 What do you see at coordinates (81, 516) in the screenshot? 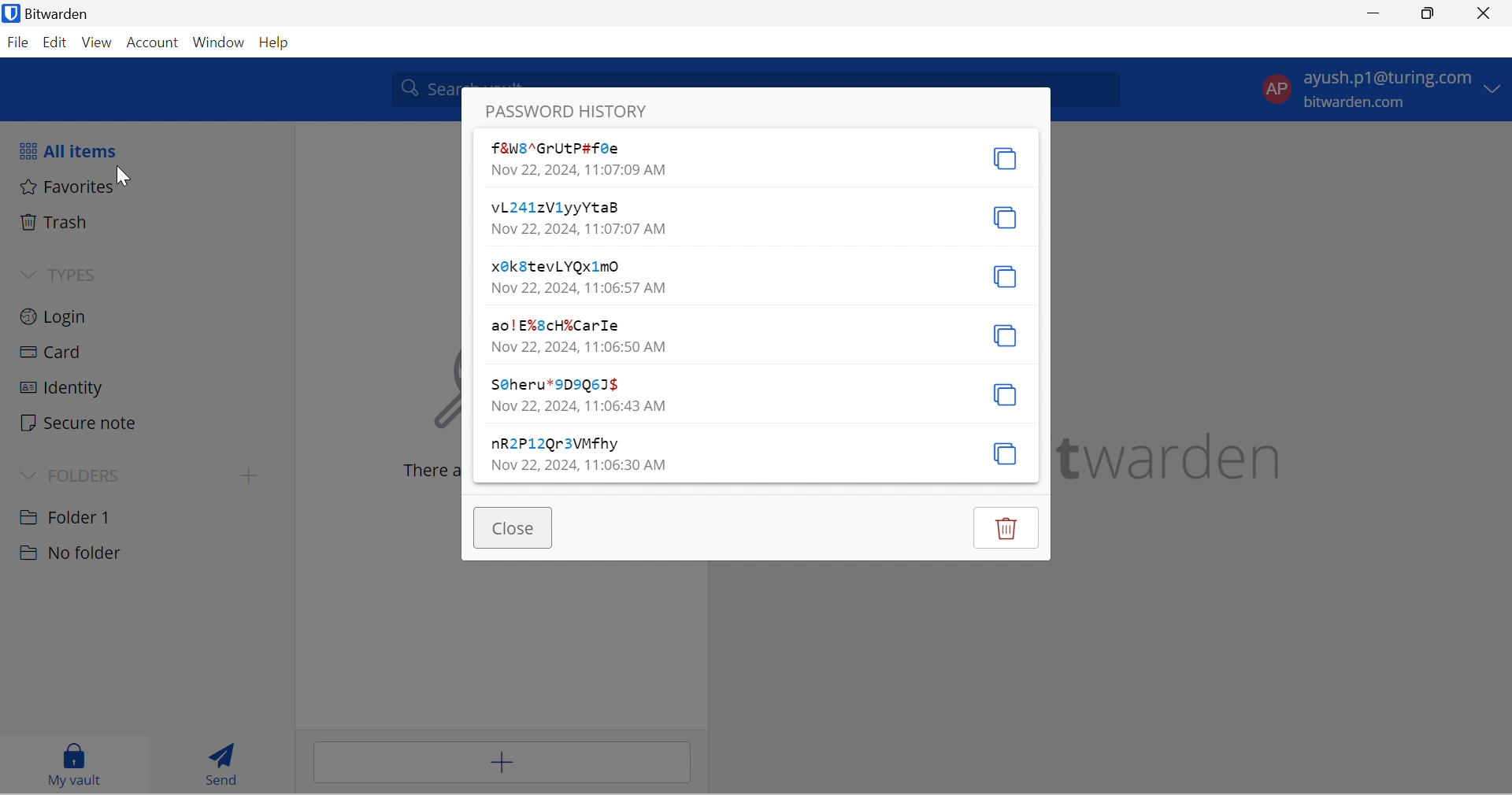
I see `folder 1` at bounding box center [81, 516].